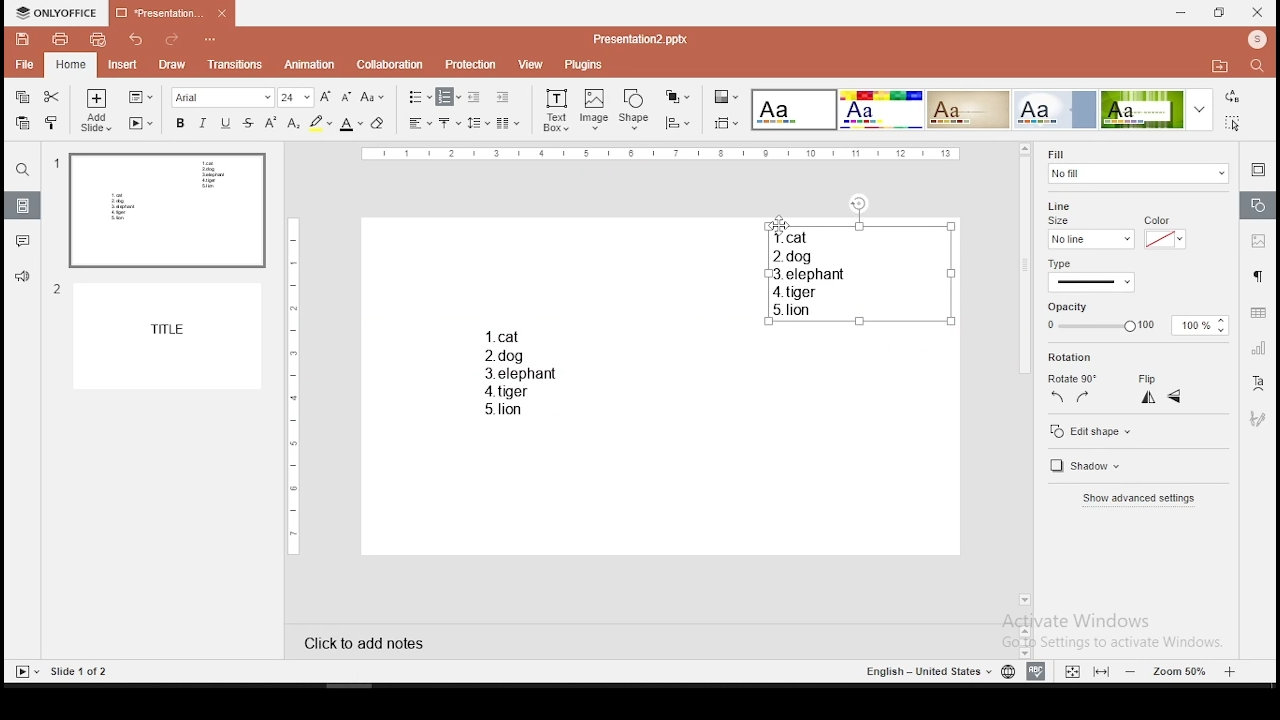  I want to click on clone formatting, so click(54, 123).